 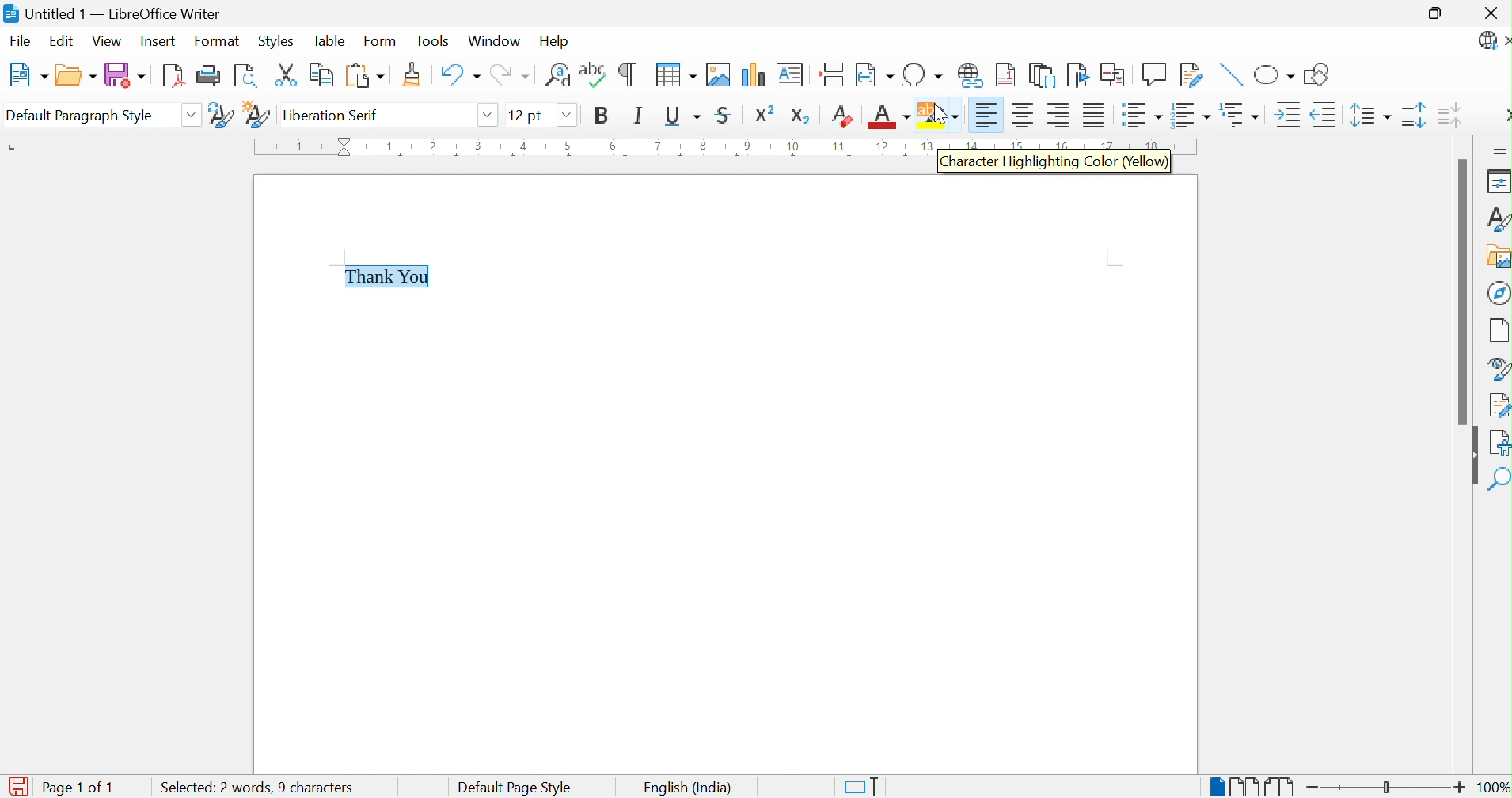 I want to click on Insert Page Break, so click(x=831, y=74).